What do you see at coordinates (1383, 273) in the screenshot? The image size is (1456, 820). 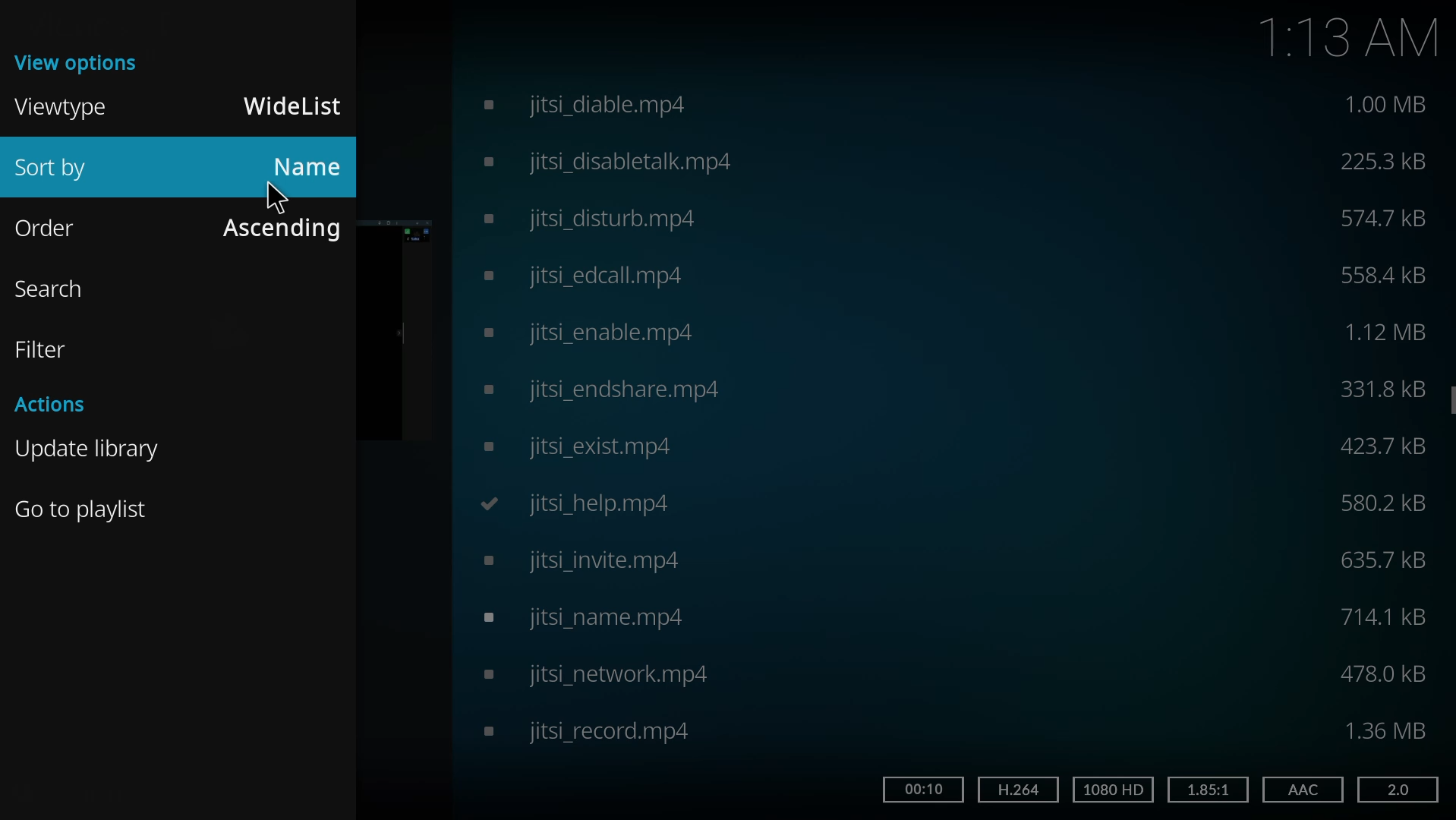 I see `size` at bounding box center [1383, 273].